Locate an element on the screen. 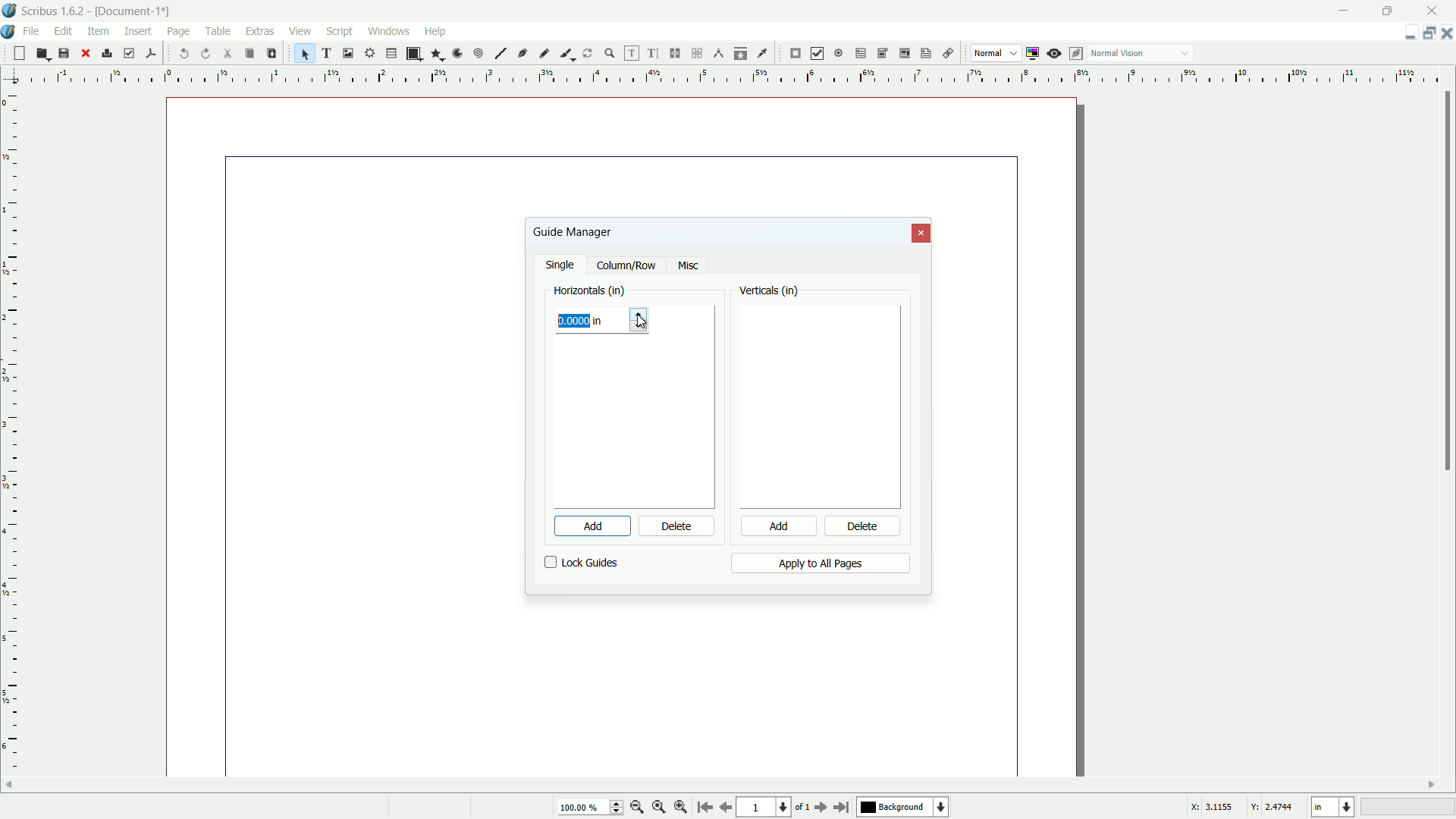  table menu is located at coordinates (218, 30).